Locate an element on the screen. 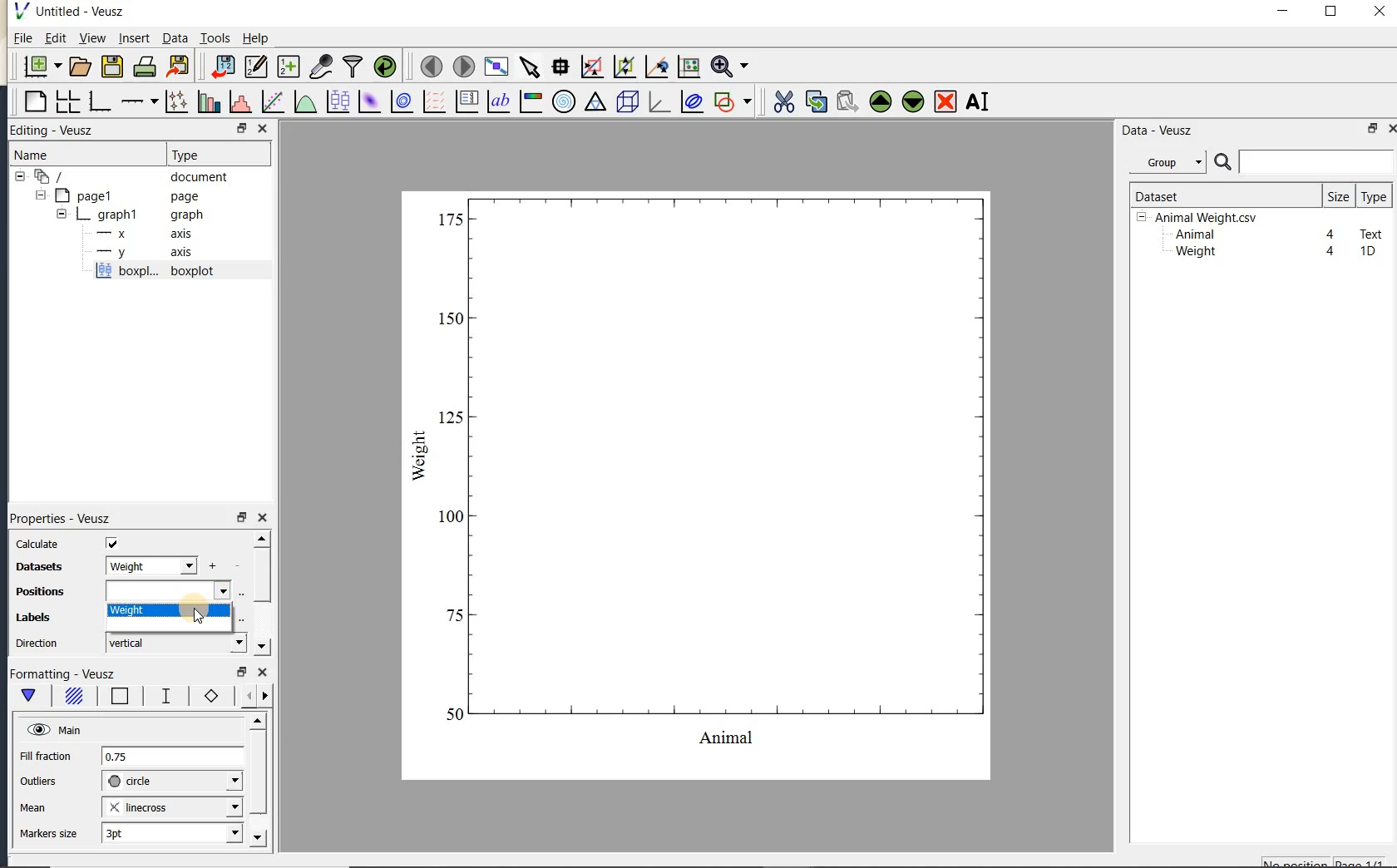  histogram of a dataset is located at coordinates (239, 101).